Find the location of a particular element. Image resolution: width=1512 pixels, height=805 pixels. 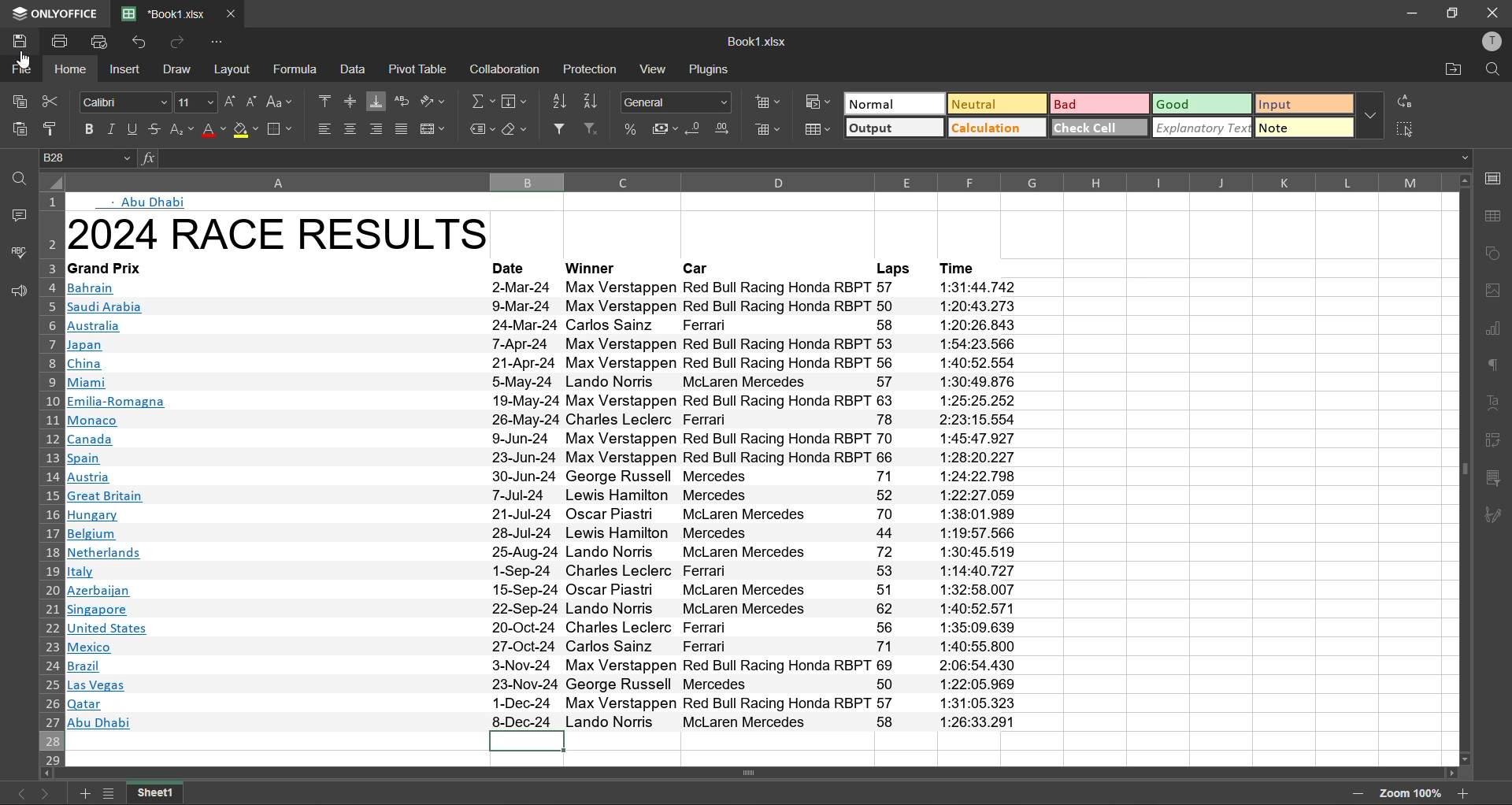

Time is located at coordinates (964, 269).